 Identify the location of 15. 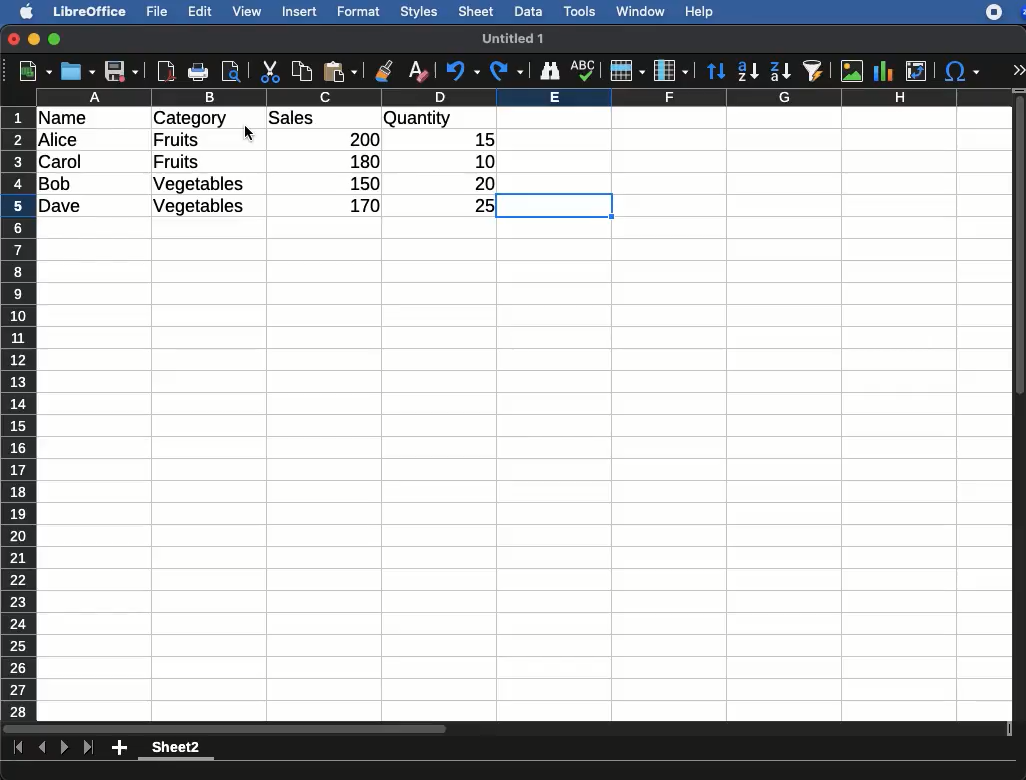
(479, 140).